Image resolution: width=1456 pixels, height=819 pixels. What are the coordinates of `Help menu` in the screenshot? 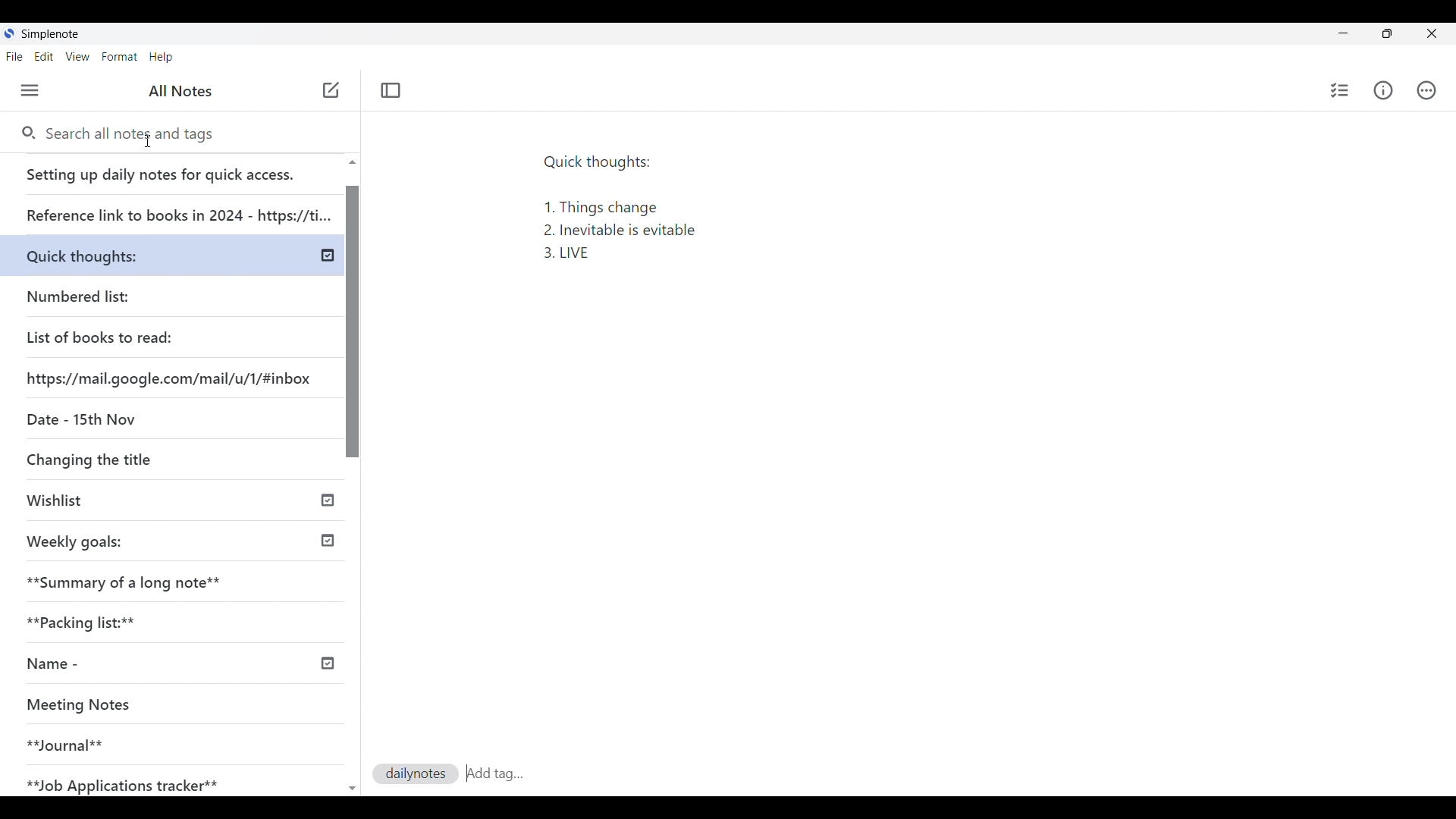 It's located at (161, 57).